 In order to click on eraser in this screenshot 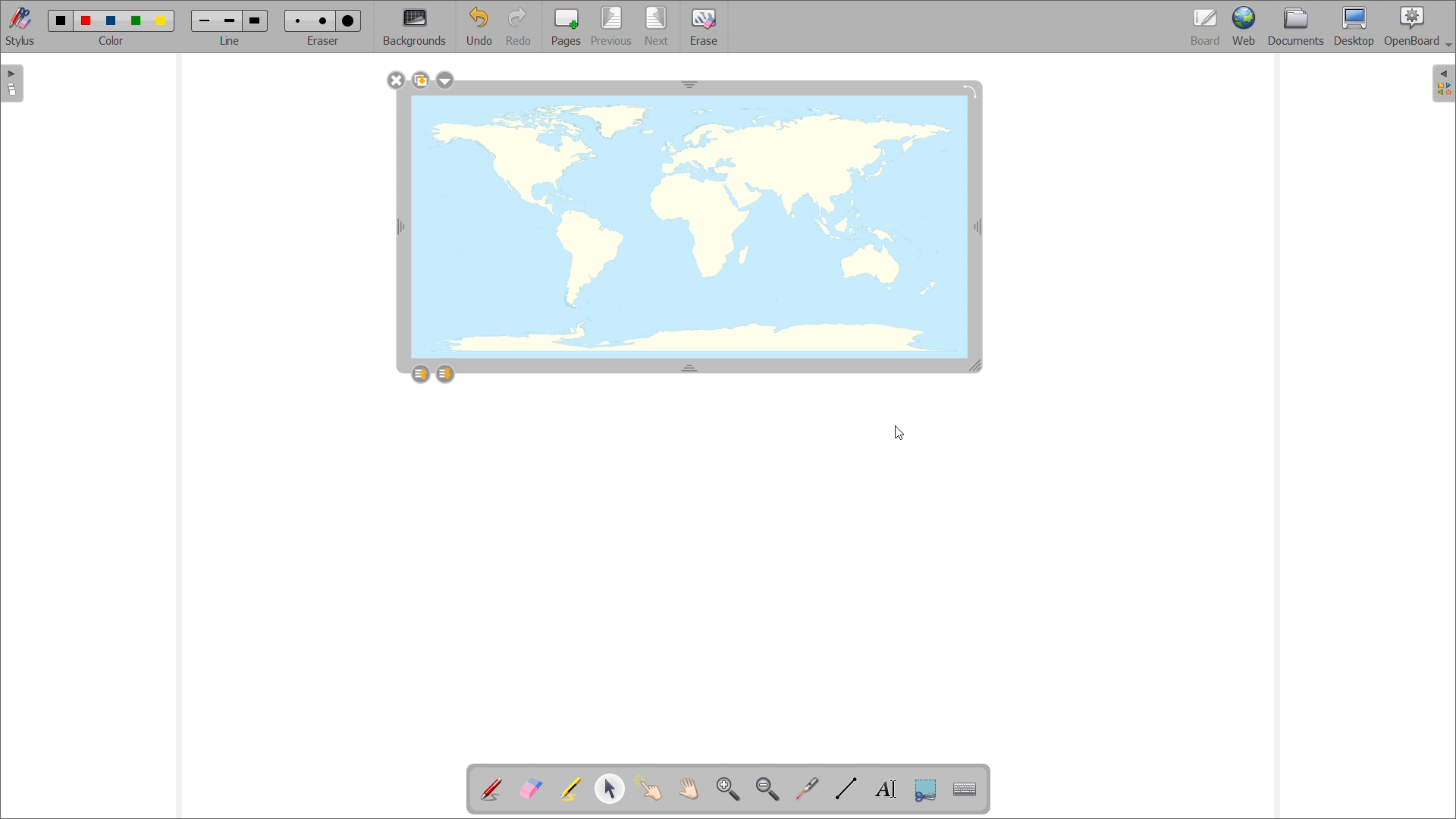, I will do `click(322, 42)`.